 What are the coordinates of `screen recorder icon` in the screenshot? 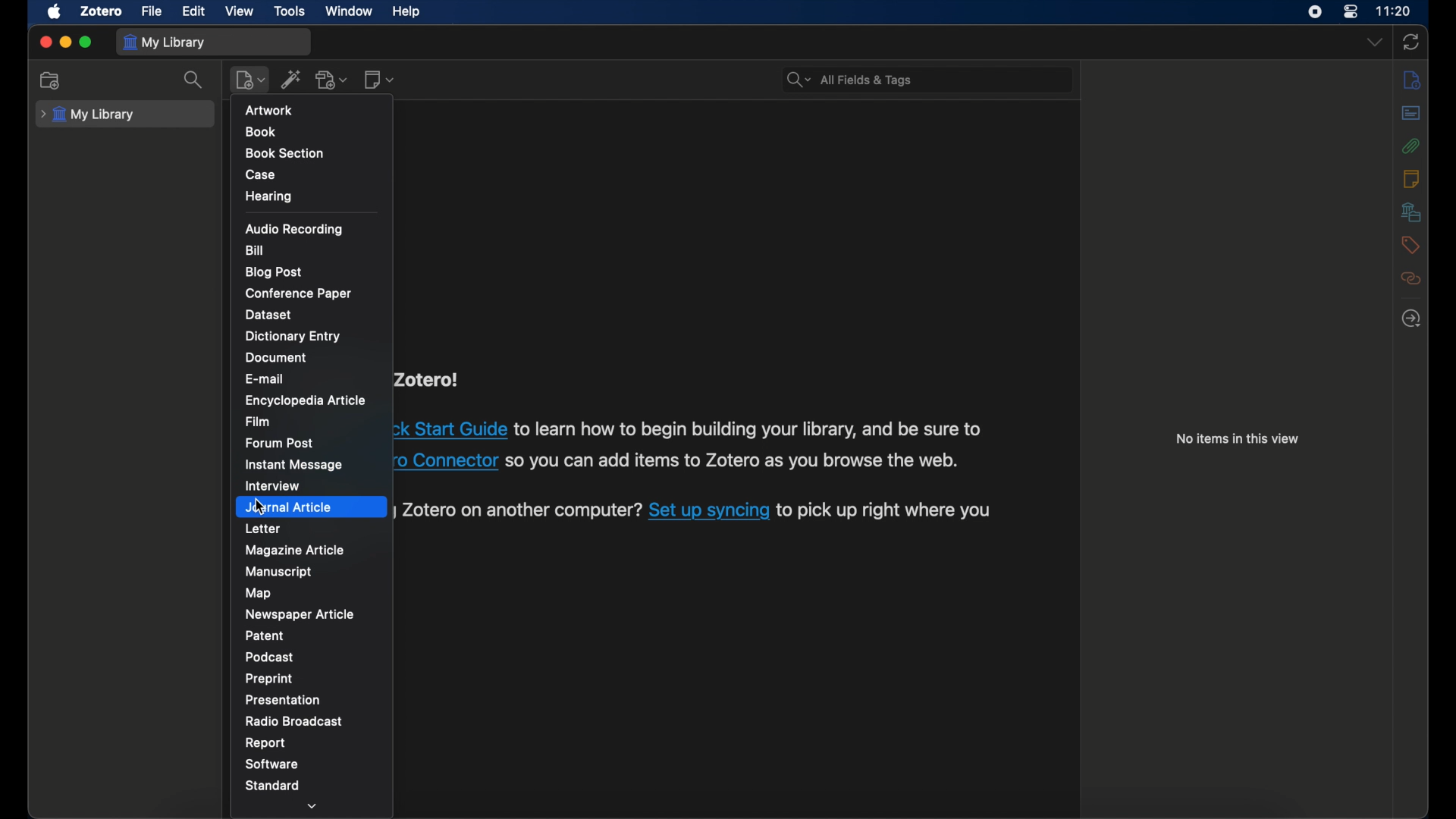 It's located at (1316, 12).